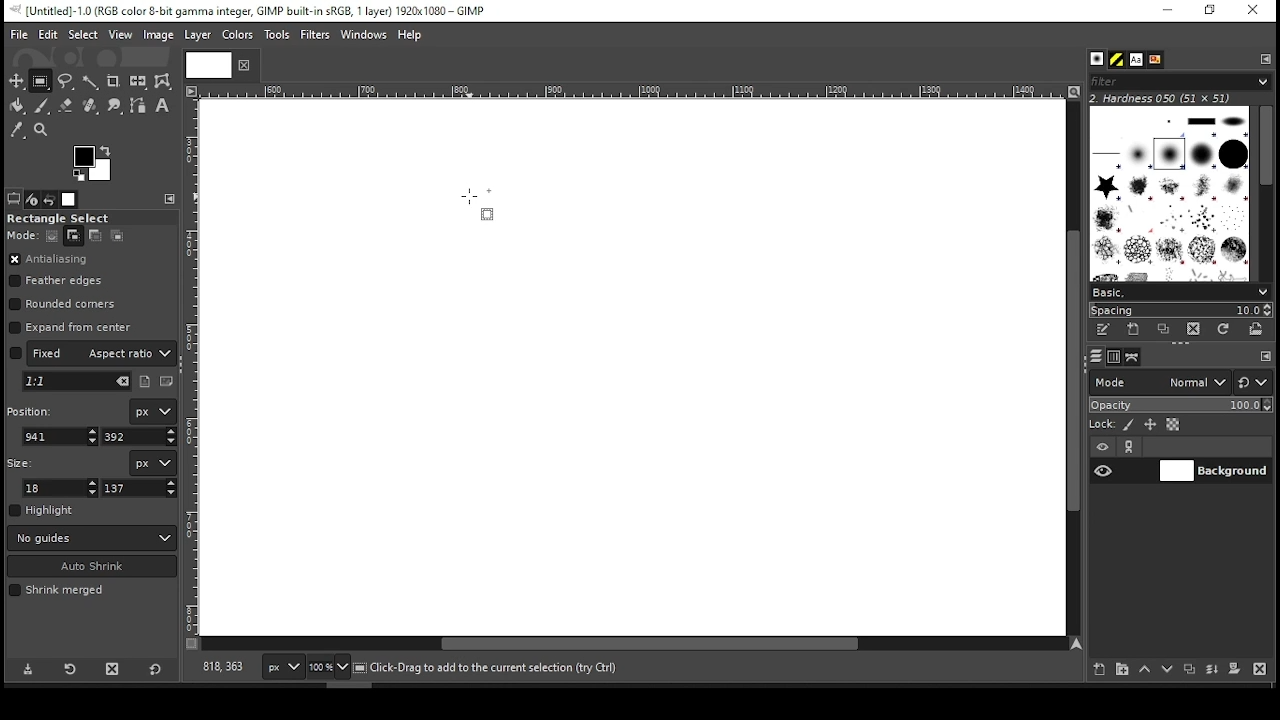 The height and width of the screenshot is (720, 1280). What do you see at coordinates (1097, 60) in the screenshot?
I see `brushes` at bounding box center [1097, 60].